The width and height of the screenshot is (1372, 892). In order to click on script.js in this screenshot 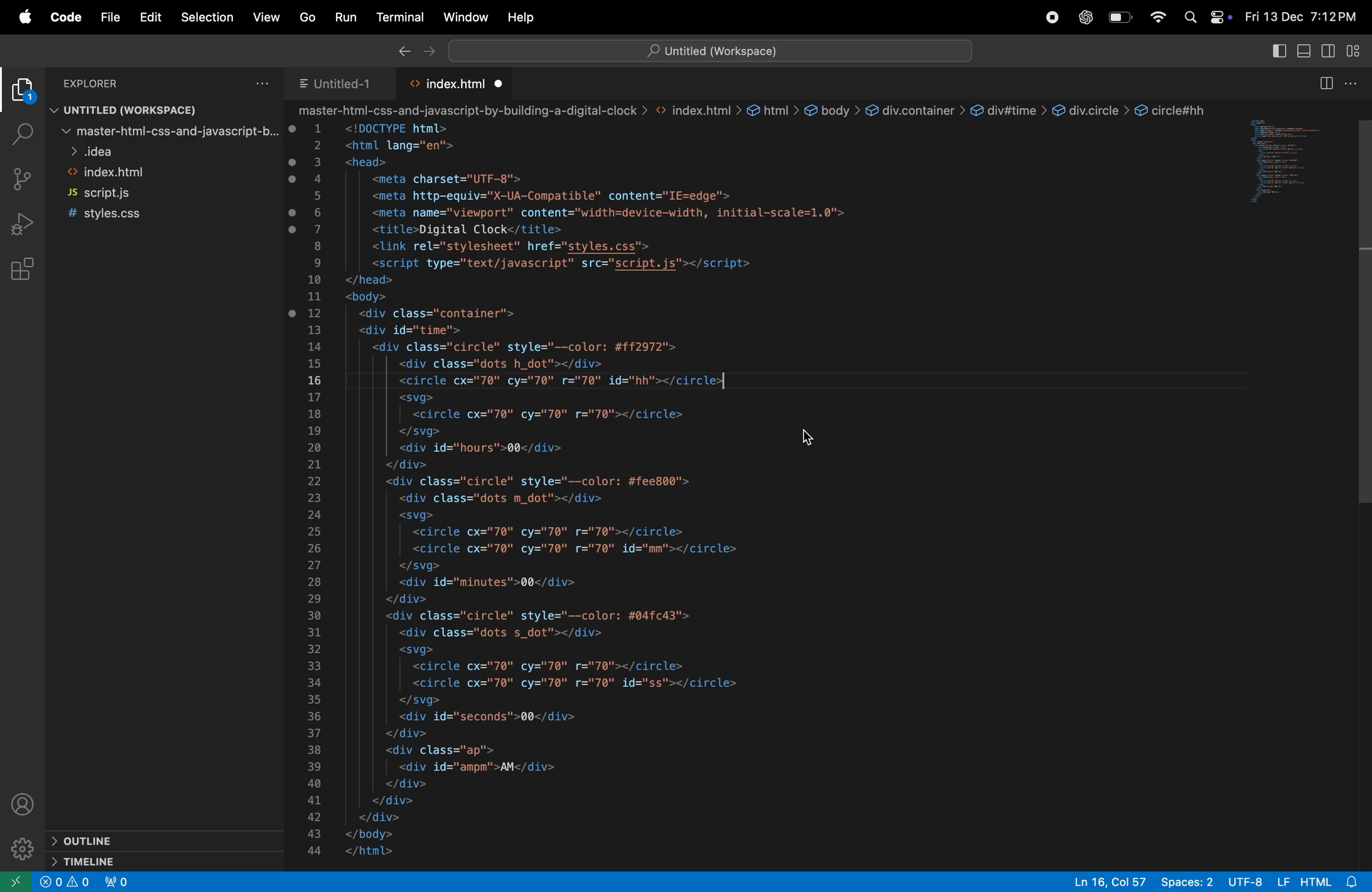, I will do `click(153, 194)`.